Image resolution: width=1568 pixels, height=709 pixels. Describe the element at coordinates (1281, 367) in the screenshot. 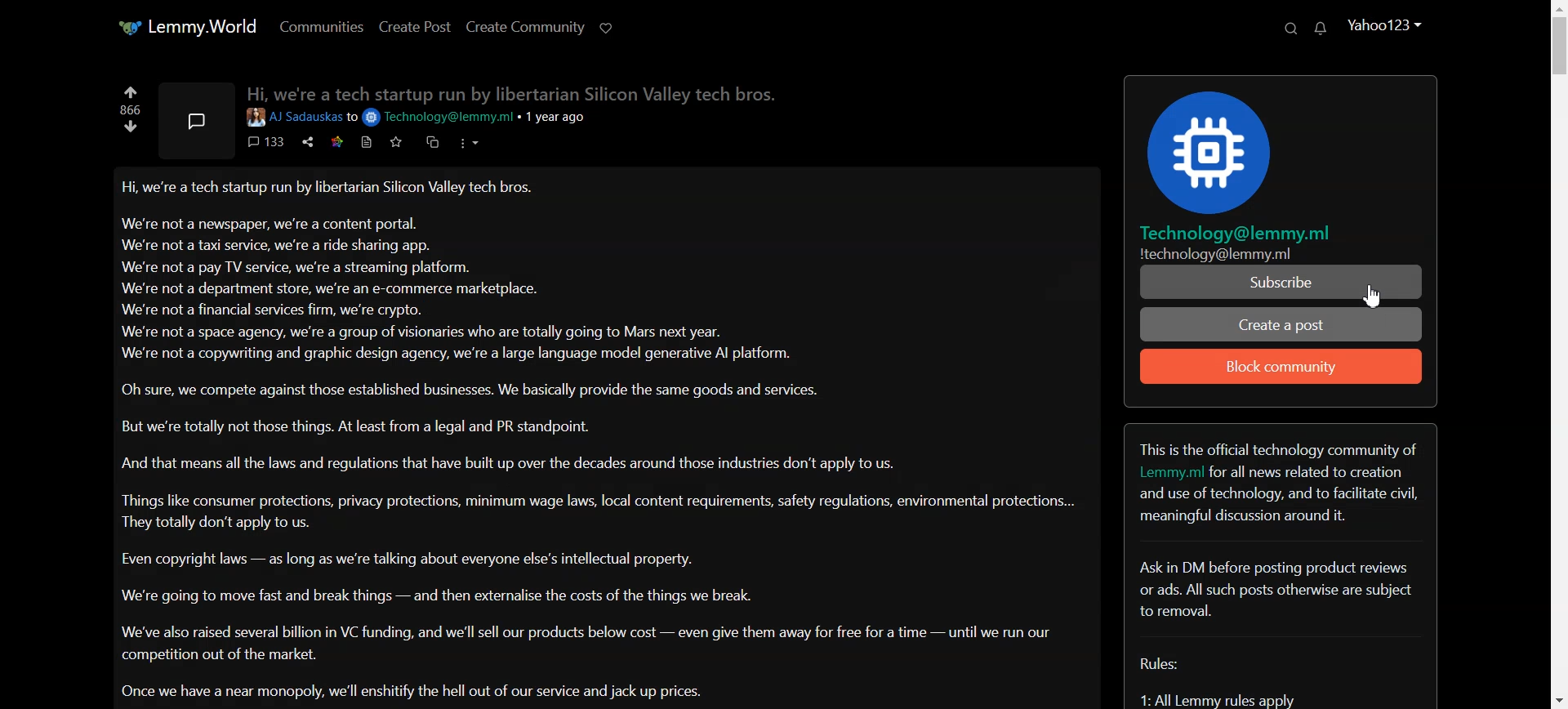

I see `Block community` at that location.